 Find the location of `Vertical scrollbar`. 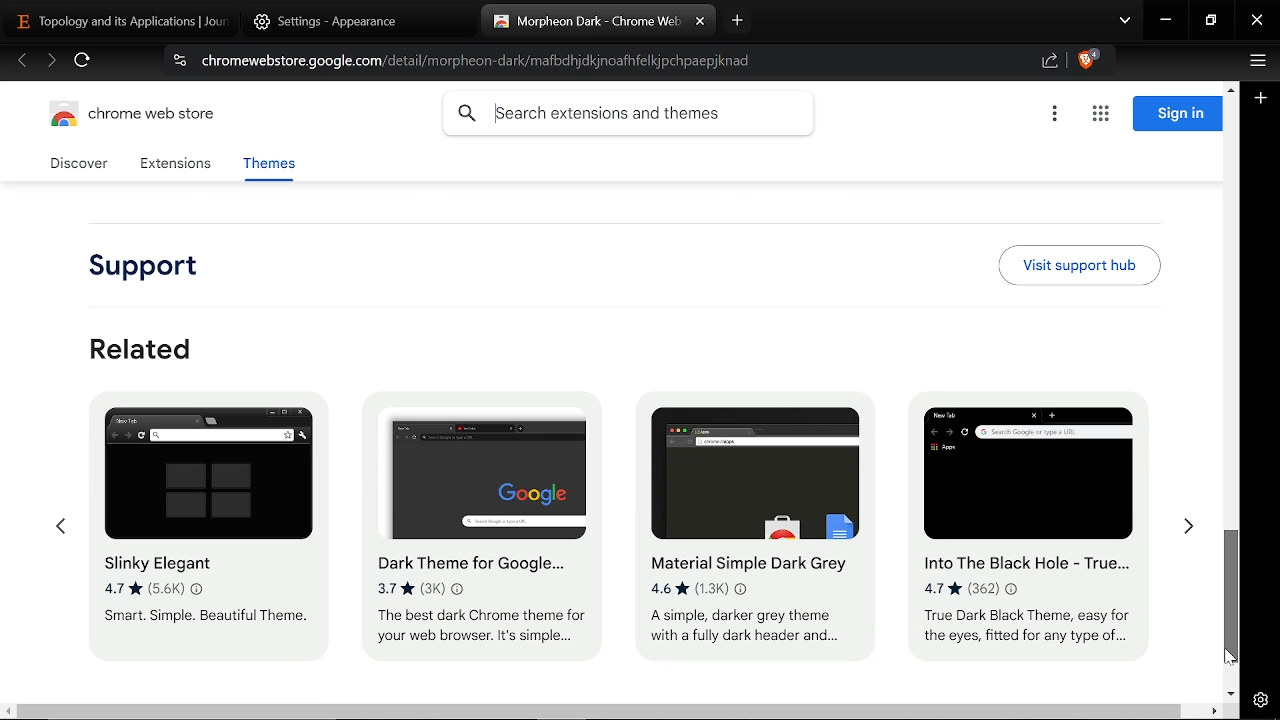

Vertical scrollbar is located at coordinates (1232, 597).